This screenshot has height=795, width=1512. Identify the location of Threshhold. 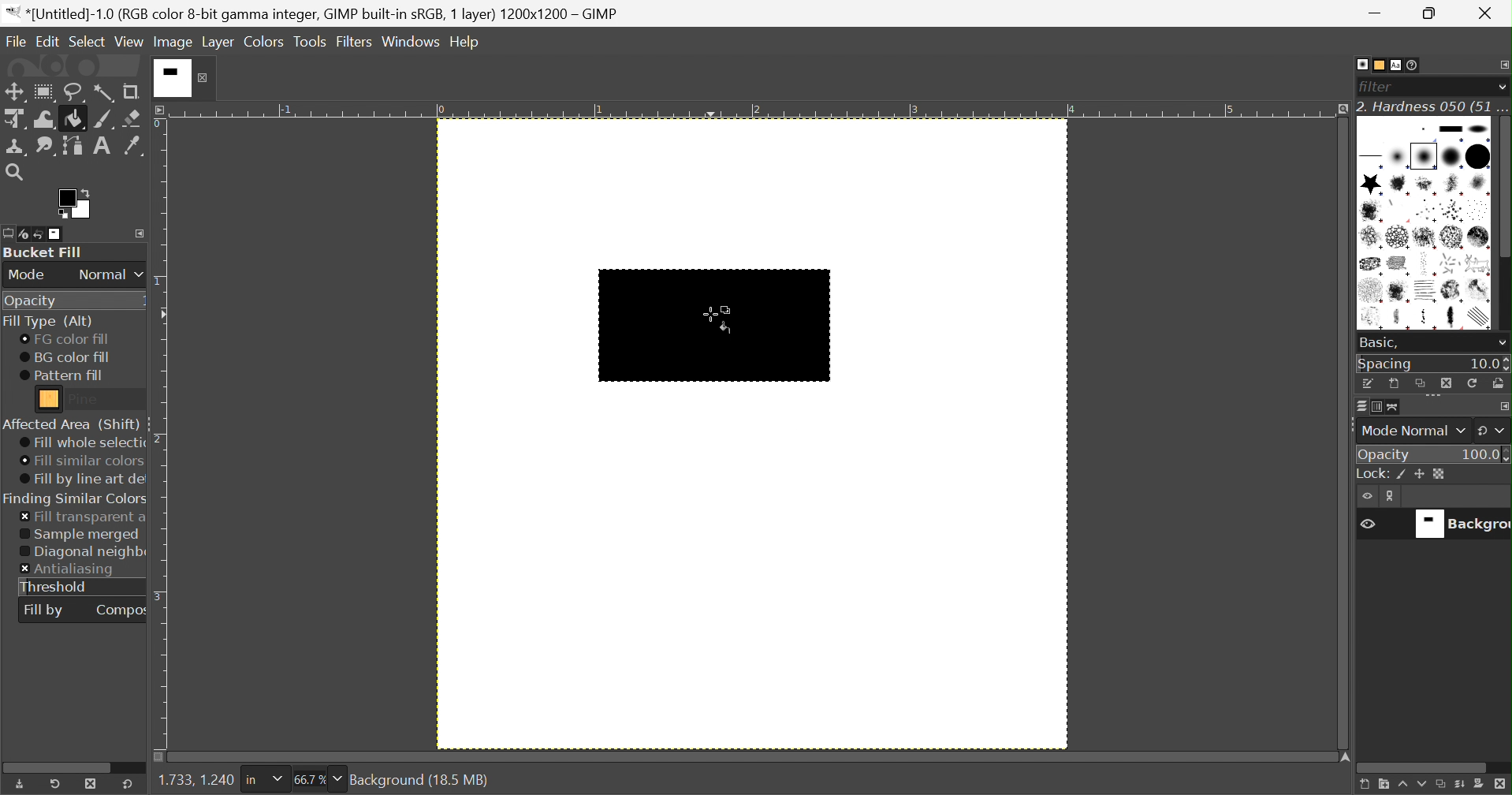
(54, 587).